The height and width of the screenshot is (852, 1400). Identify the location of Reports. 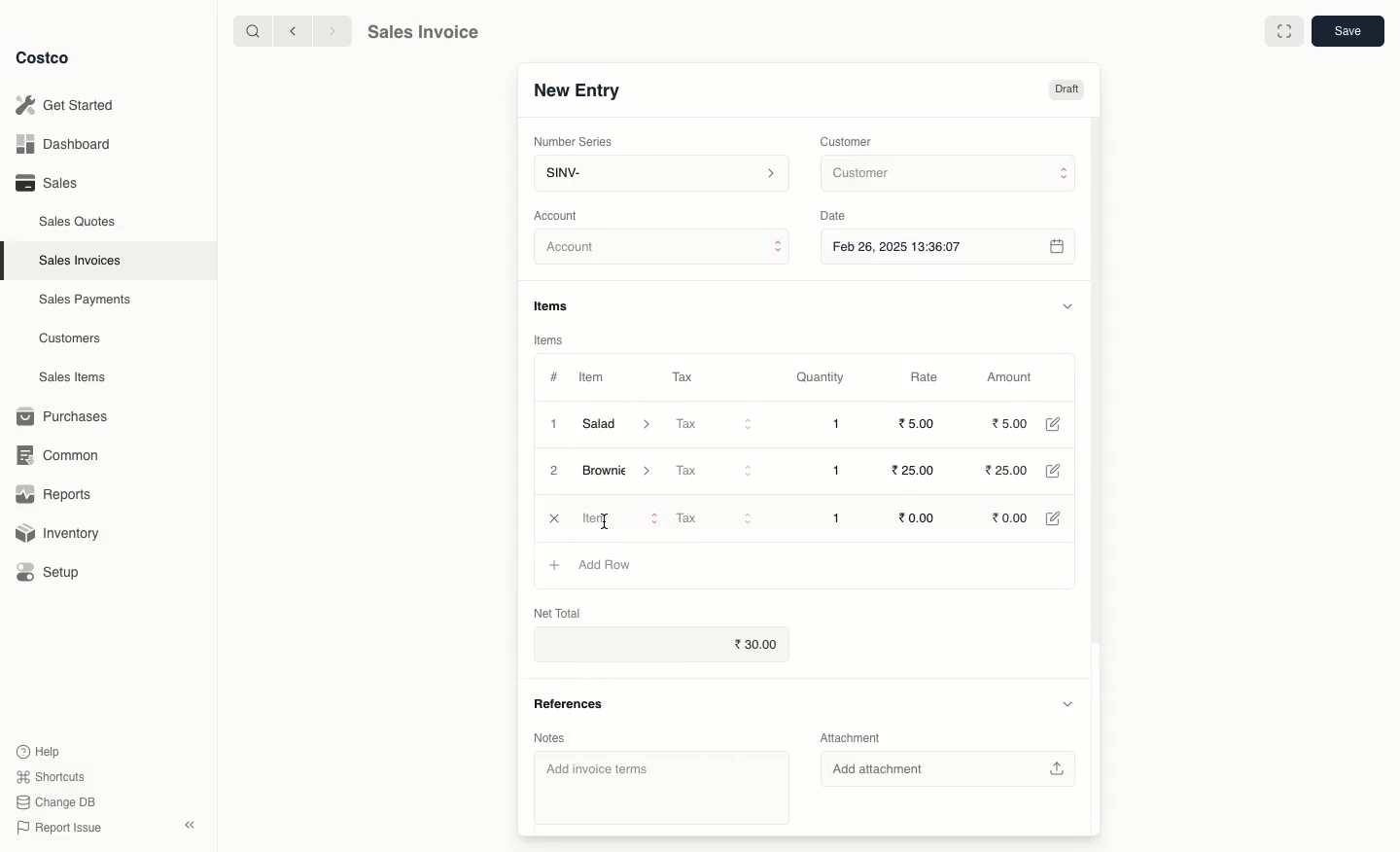
(54, 496).